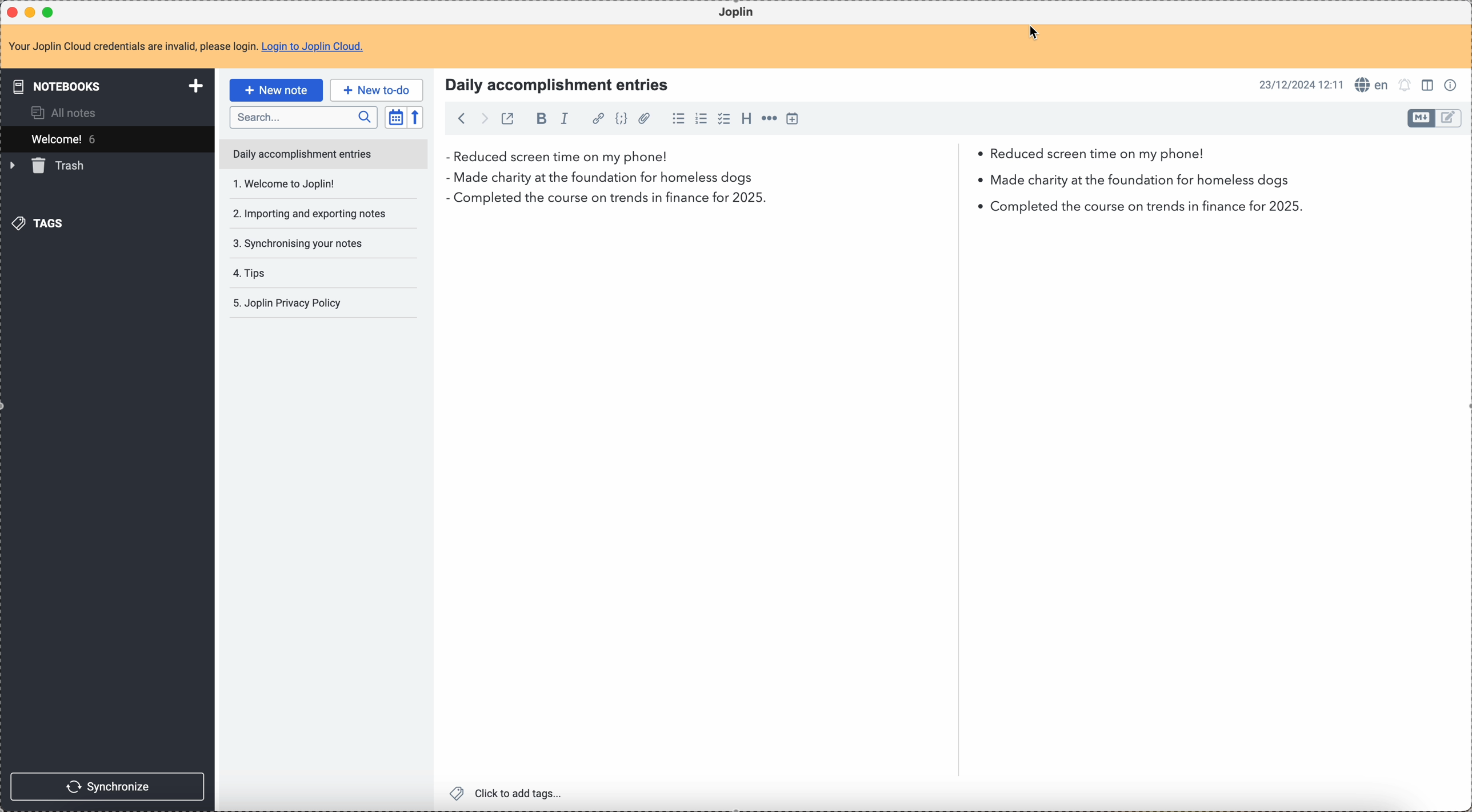 The width and height of the screenshot is (1472, 812). I want to click on Joplin, so click(738, 13).